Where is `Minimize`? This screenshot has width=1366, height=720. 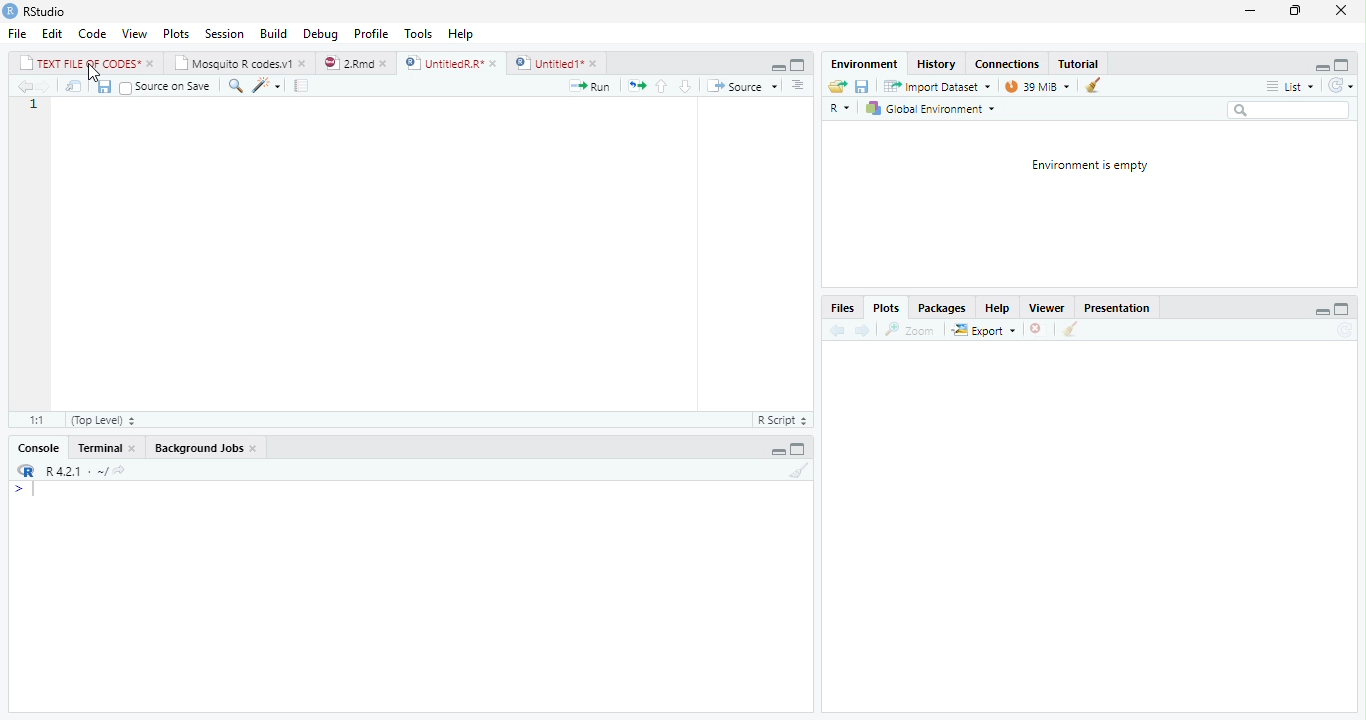 Minimize is located at coordinates (1249, 11).